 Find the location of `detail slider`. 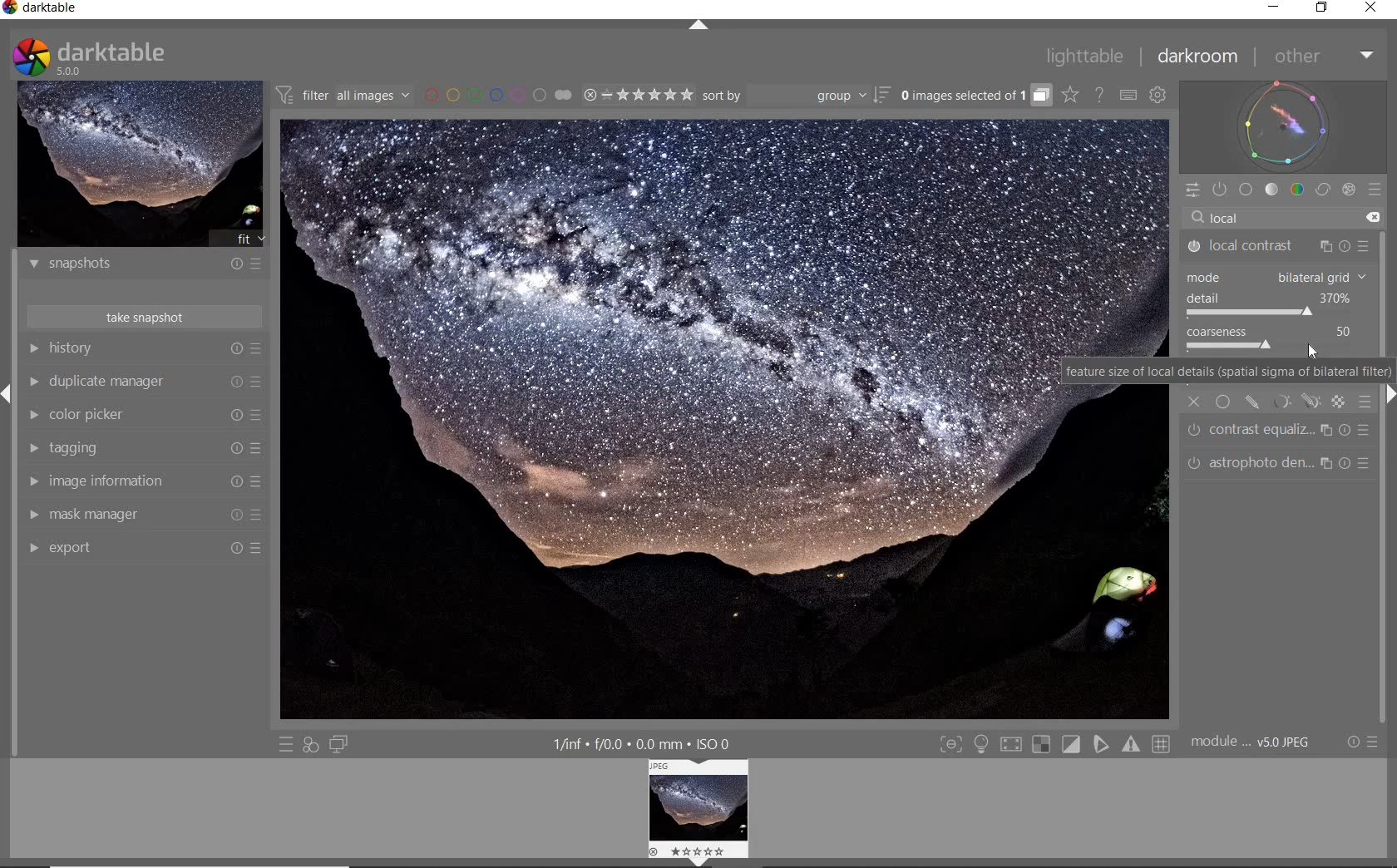

detail slider is located at coordinates (1250, 313).